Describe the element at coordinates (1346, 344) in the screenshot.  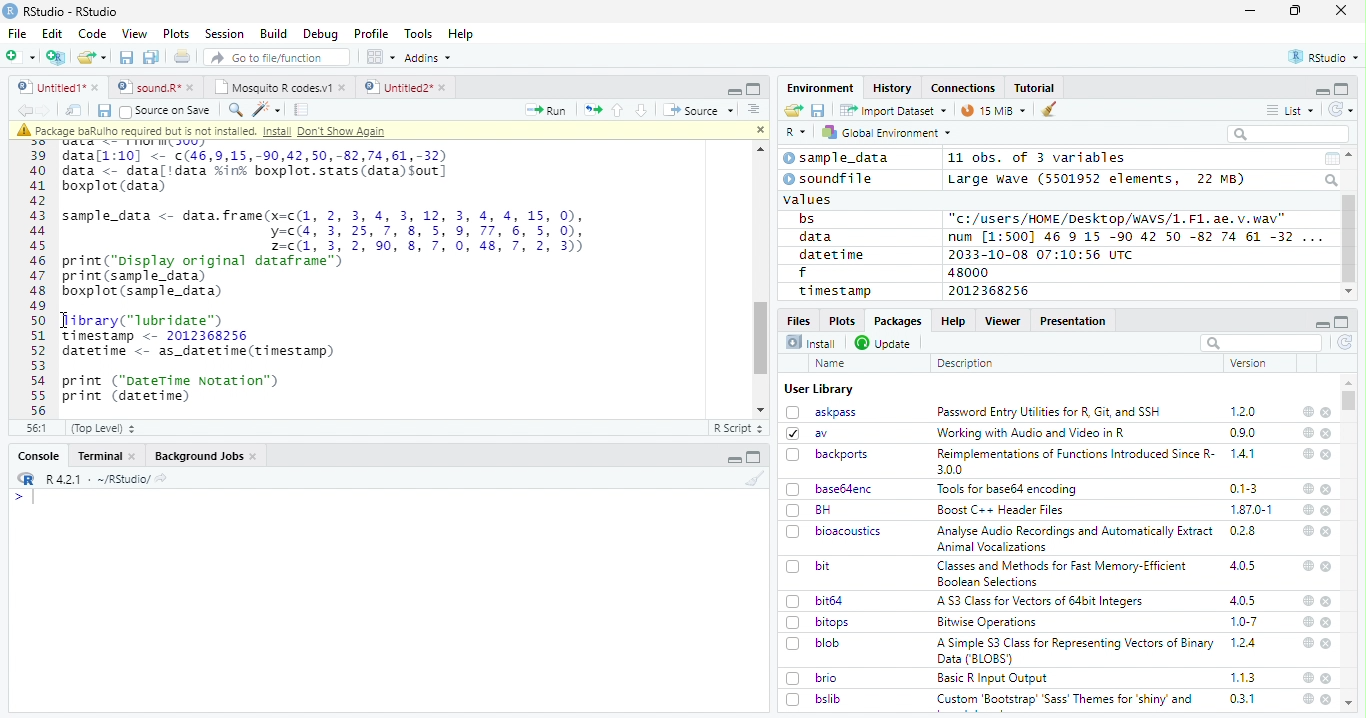
I see `Refresh` at that location.